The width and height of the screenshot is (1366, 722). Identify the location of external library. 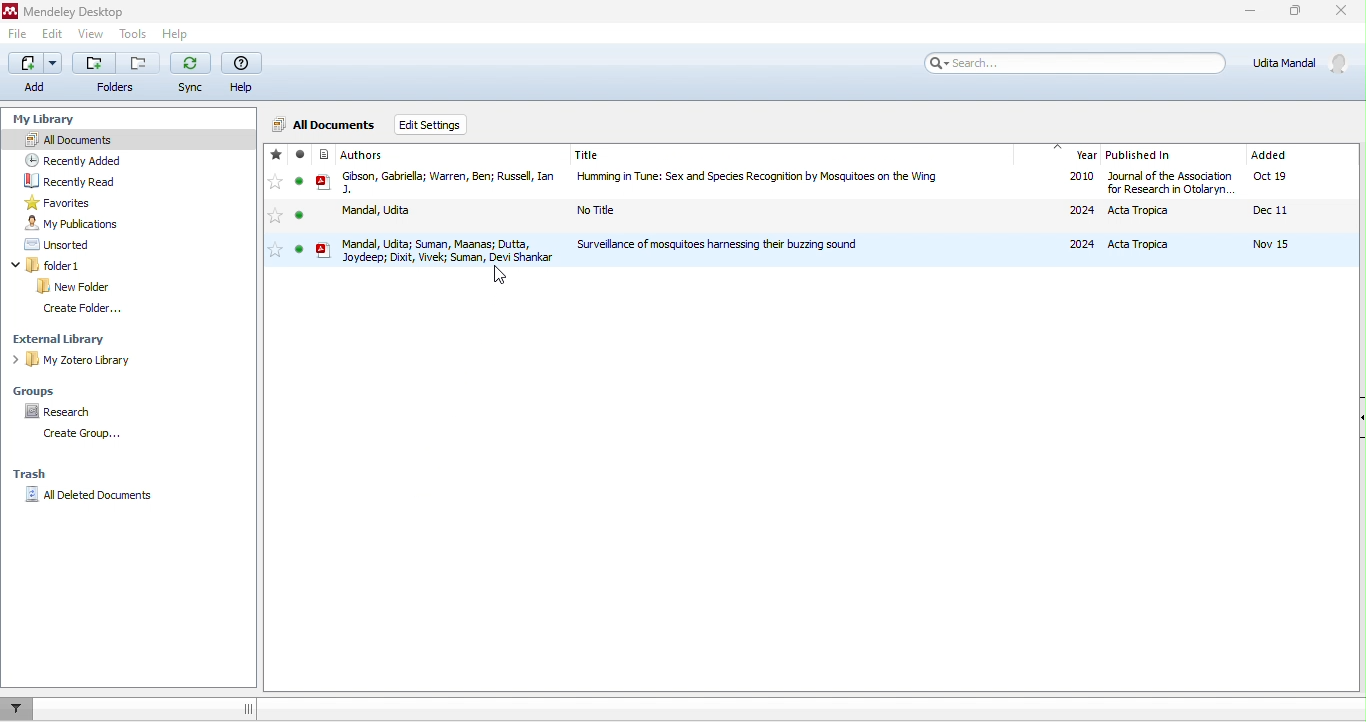
(67, 341).